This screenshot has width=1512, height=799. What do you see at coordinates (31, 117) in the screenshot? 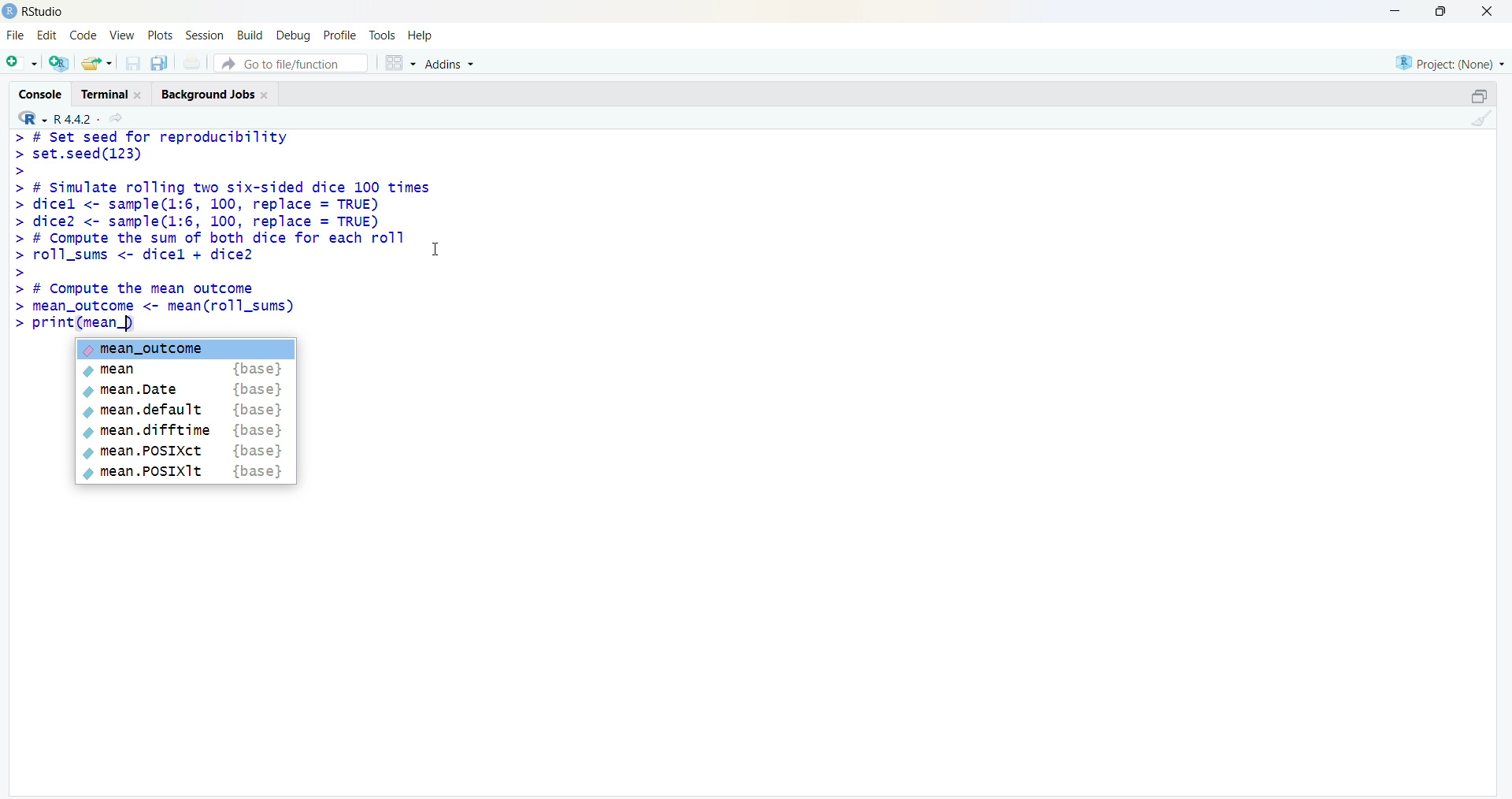
I see `R` at bounding box center [31, 117].